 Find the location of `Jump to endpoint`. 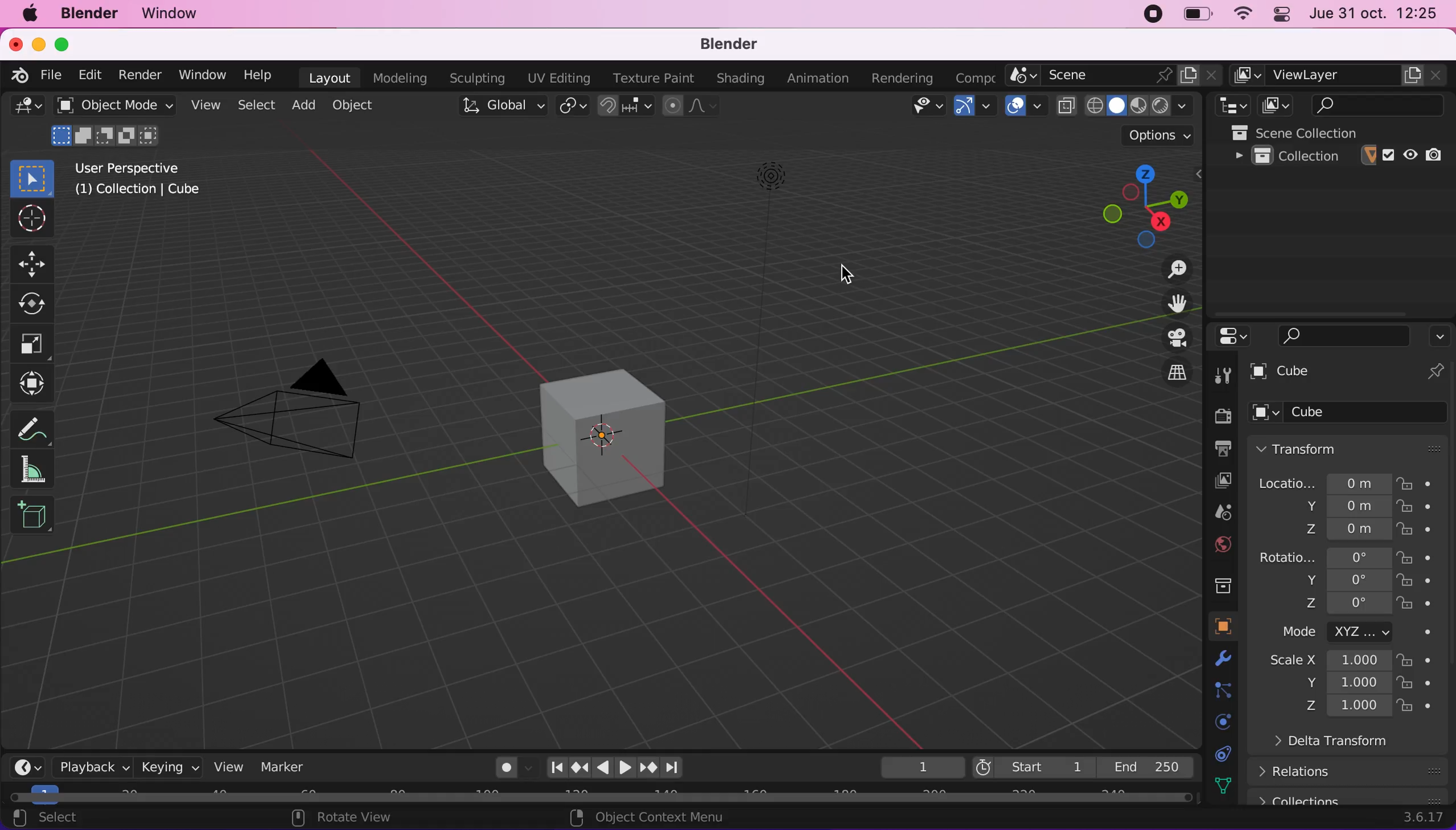

Jump to endpoint is located at coordinates (556, 766).